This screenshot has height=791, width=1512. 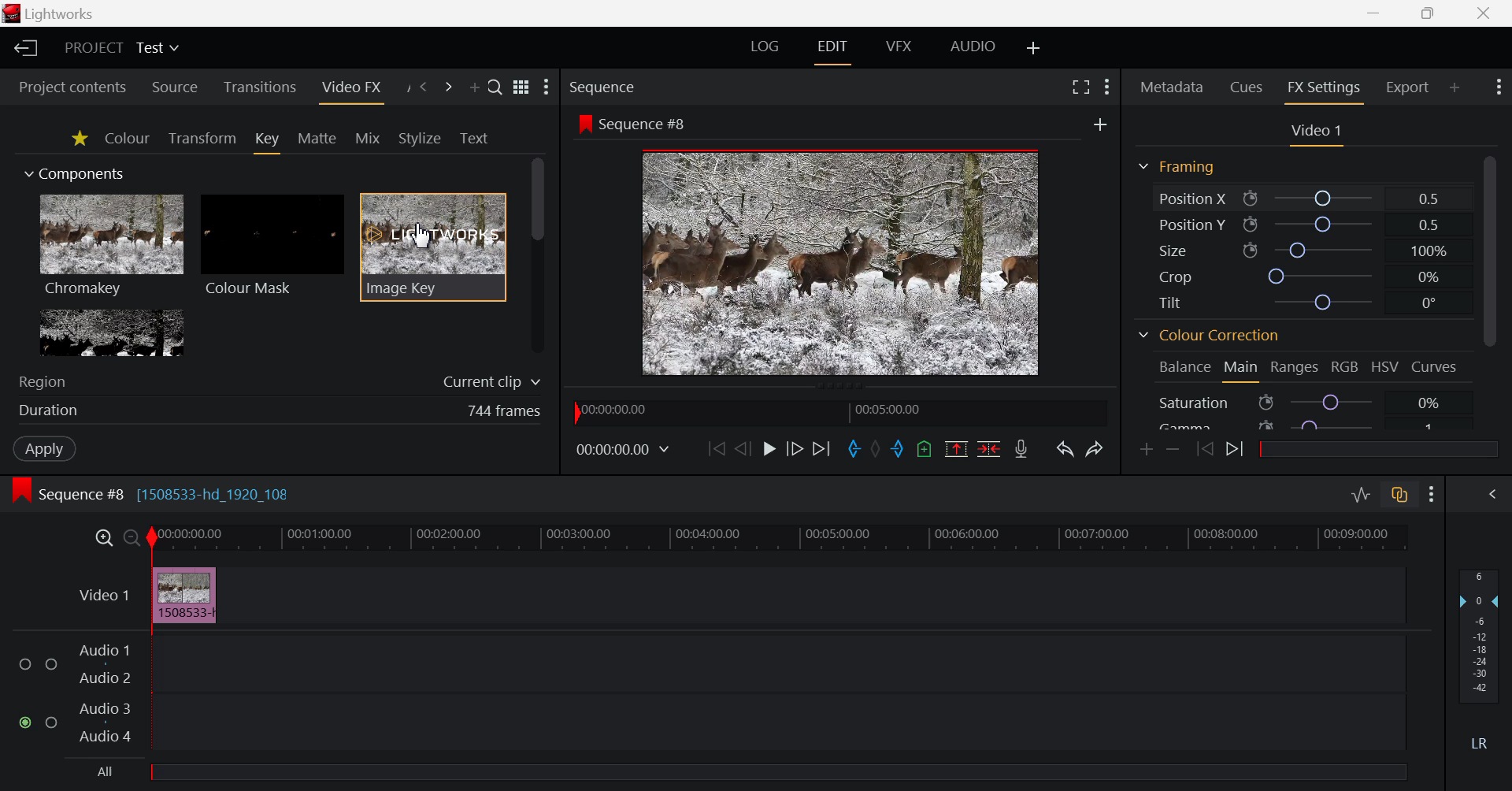 What do you see at coordinates (356, 91) in the screenshot?
I see `Video FX` at bounding box center [356, 91].